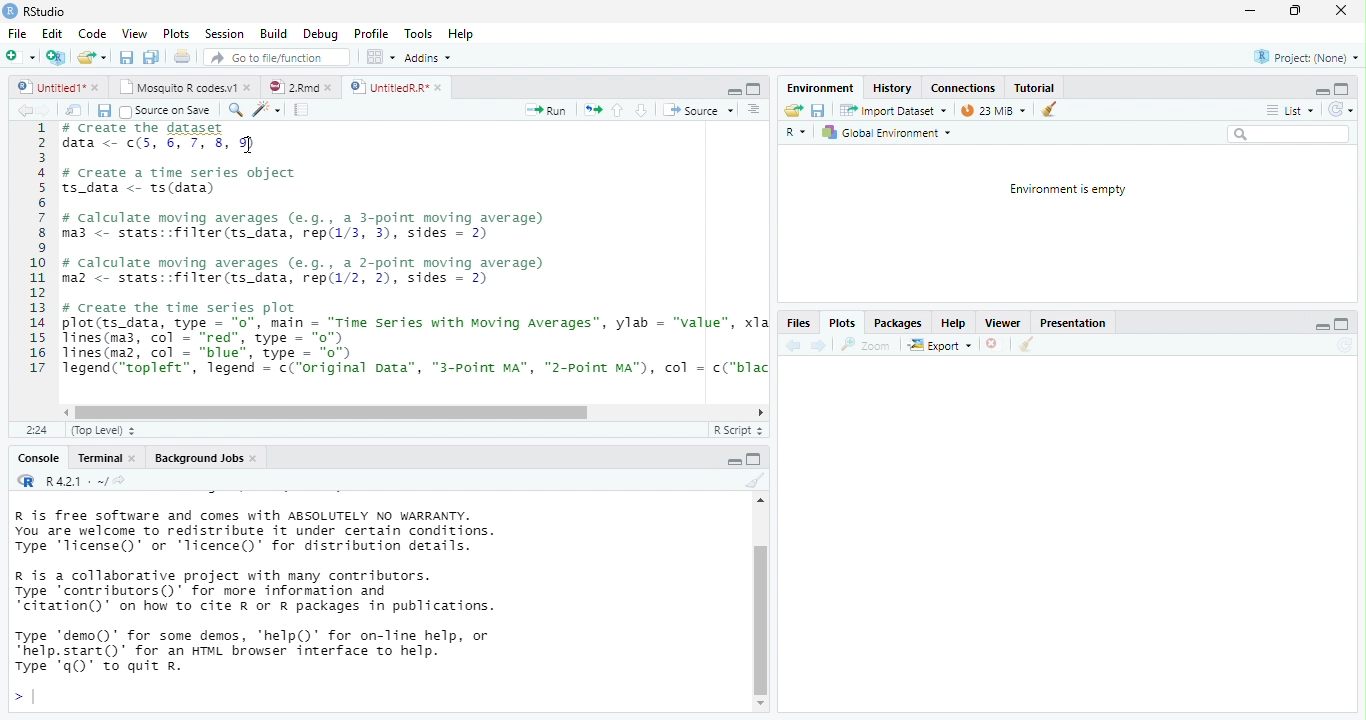  Describe the element at coordinates (224, 33) in the screenshot. I see `Session` at that location.